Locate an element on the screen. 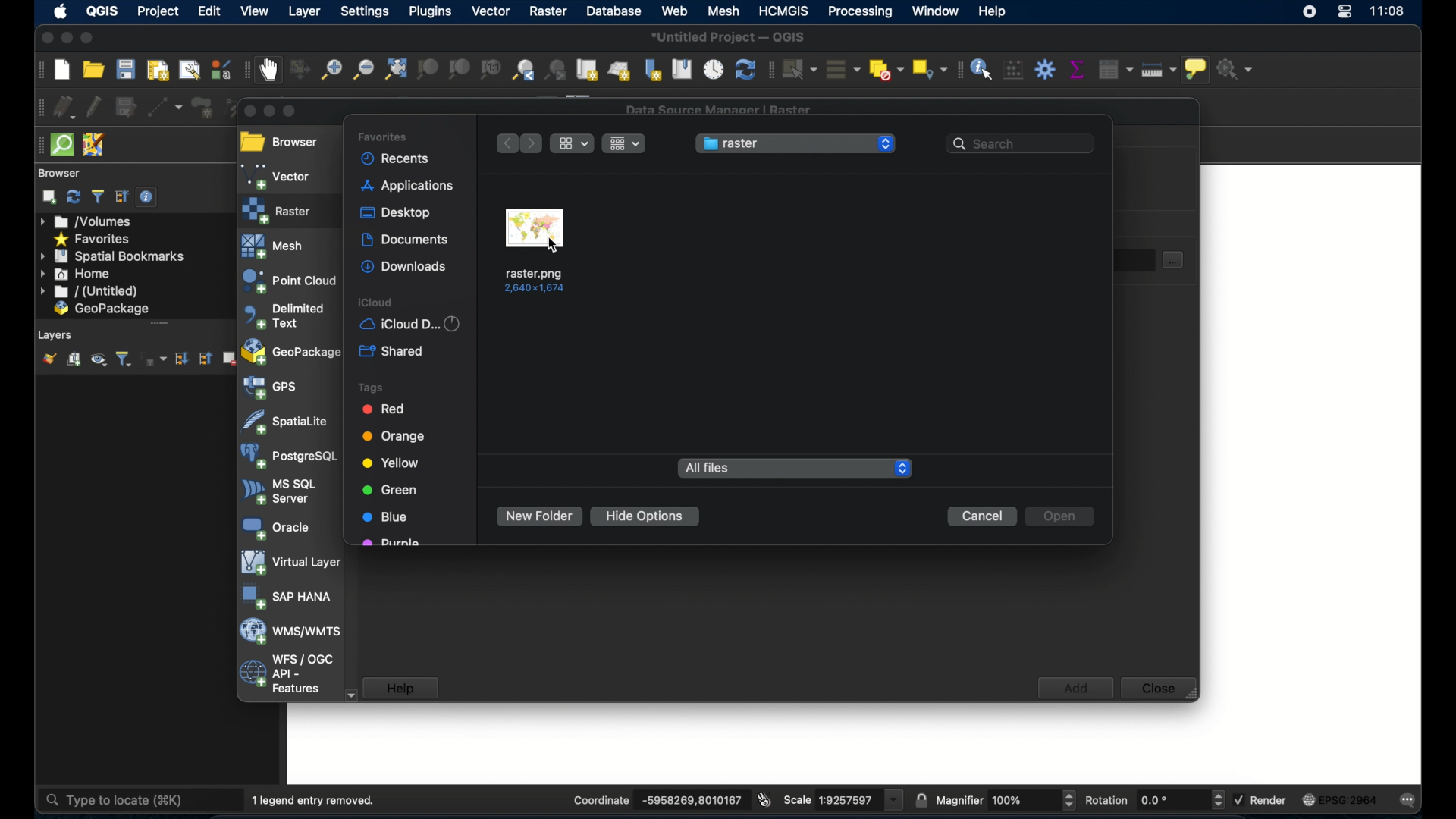  layer is located at coordinates (306, 14).